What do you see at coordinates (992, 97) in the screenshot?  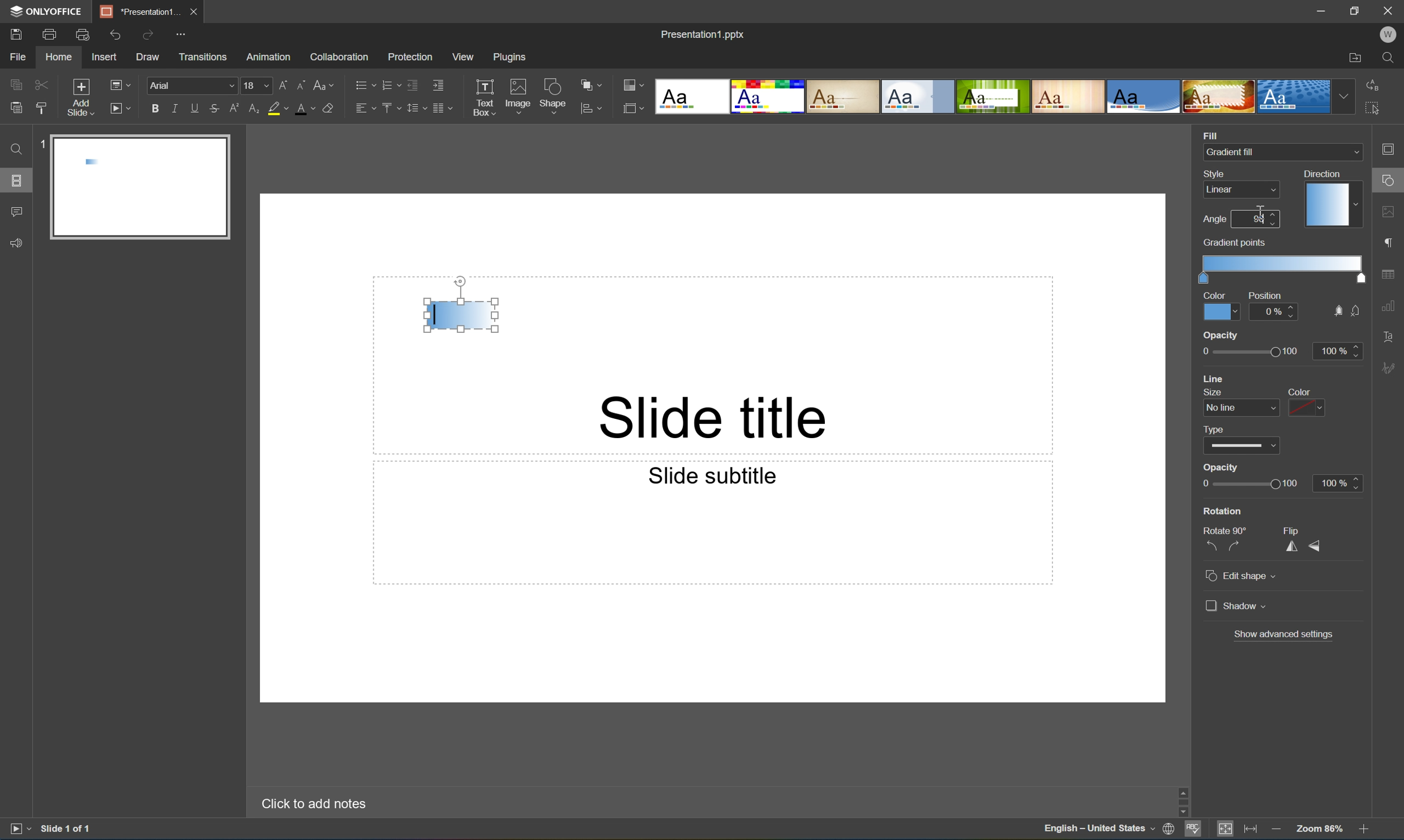 I see `Type of slides` at bounding box center [992, 97].